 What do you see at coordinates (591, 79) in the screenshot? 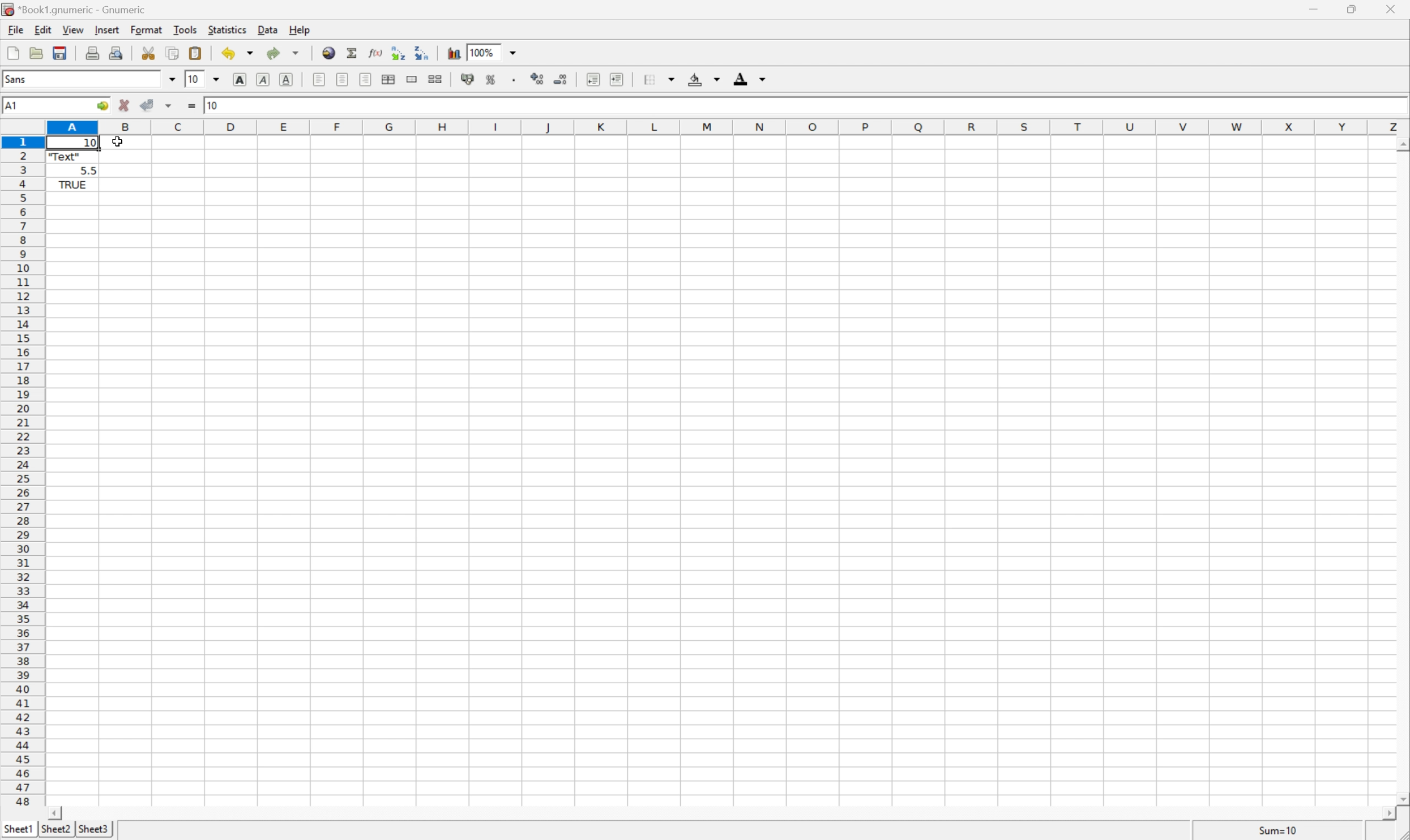
I see `Decrease indent, and align the contents to the left` at bounding box center [591, 79].